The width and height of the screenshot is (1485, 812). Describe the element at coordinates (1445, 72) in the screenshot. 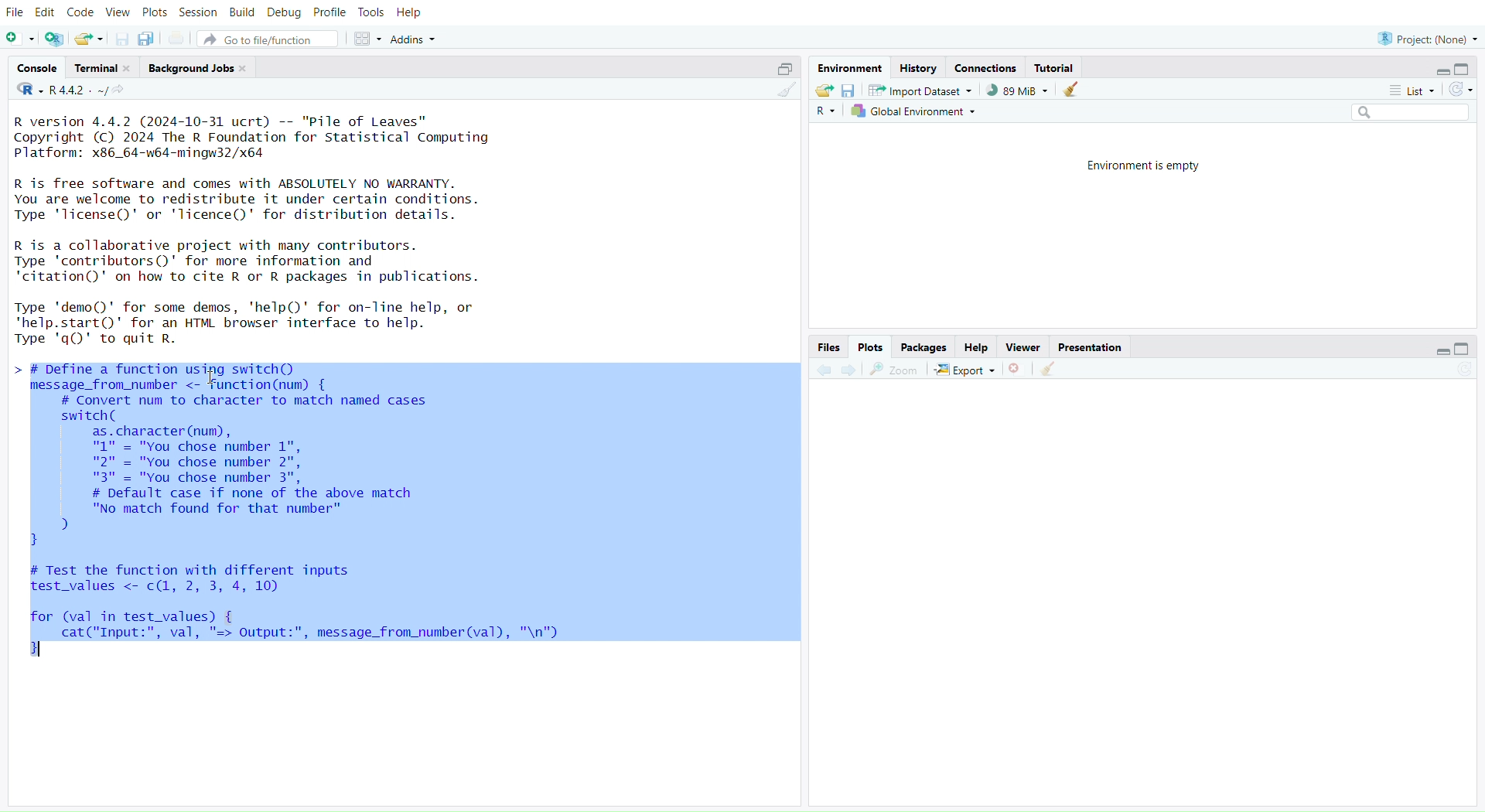

I see `Minimize` at that location.